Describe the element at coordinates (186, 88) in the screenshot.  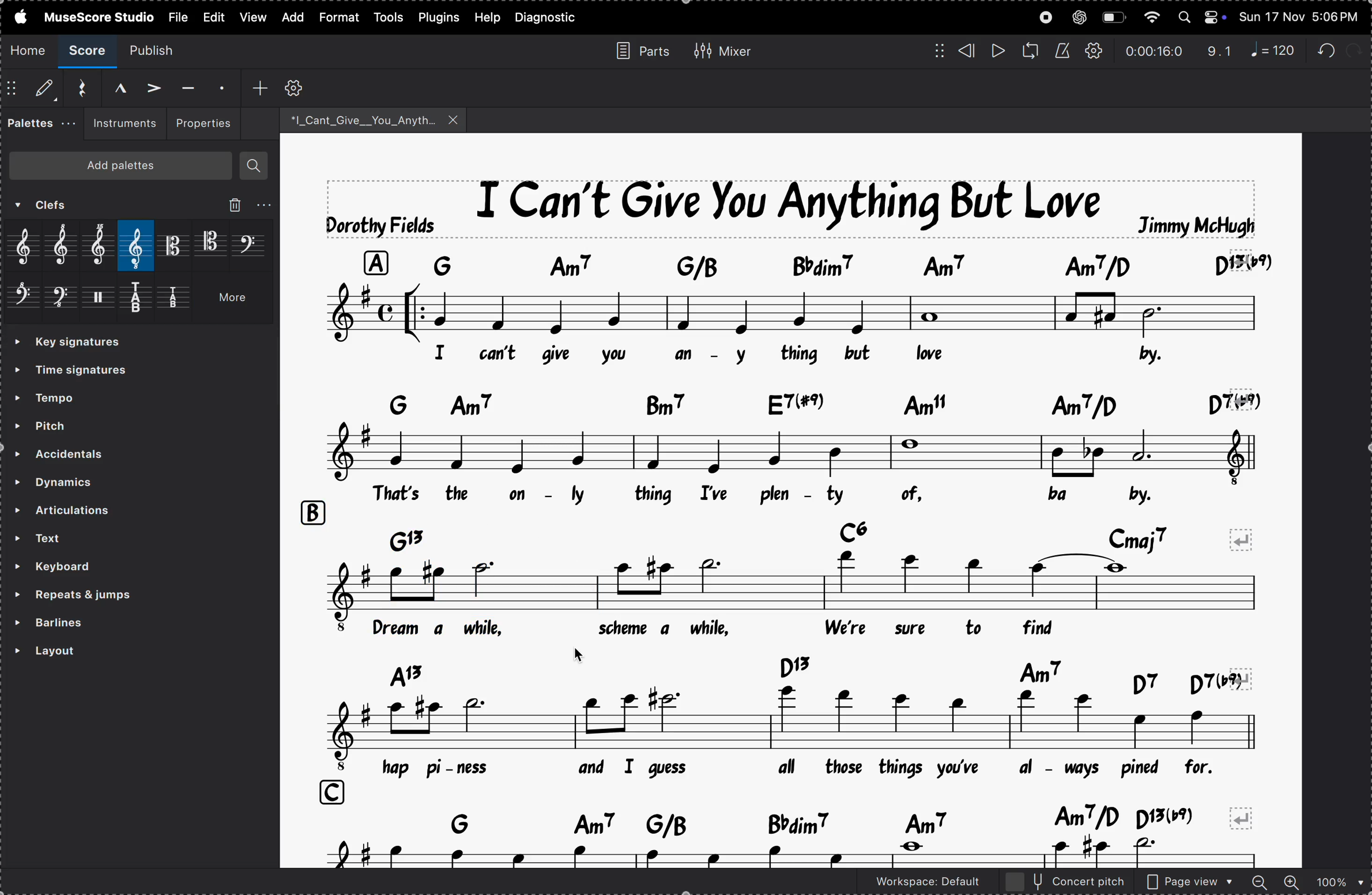
I see `tenuto` at that location.